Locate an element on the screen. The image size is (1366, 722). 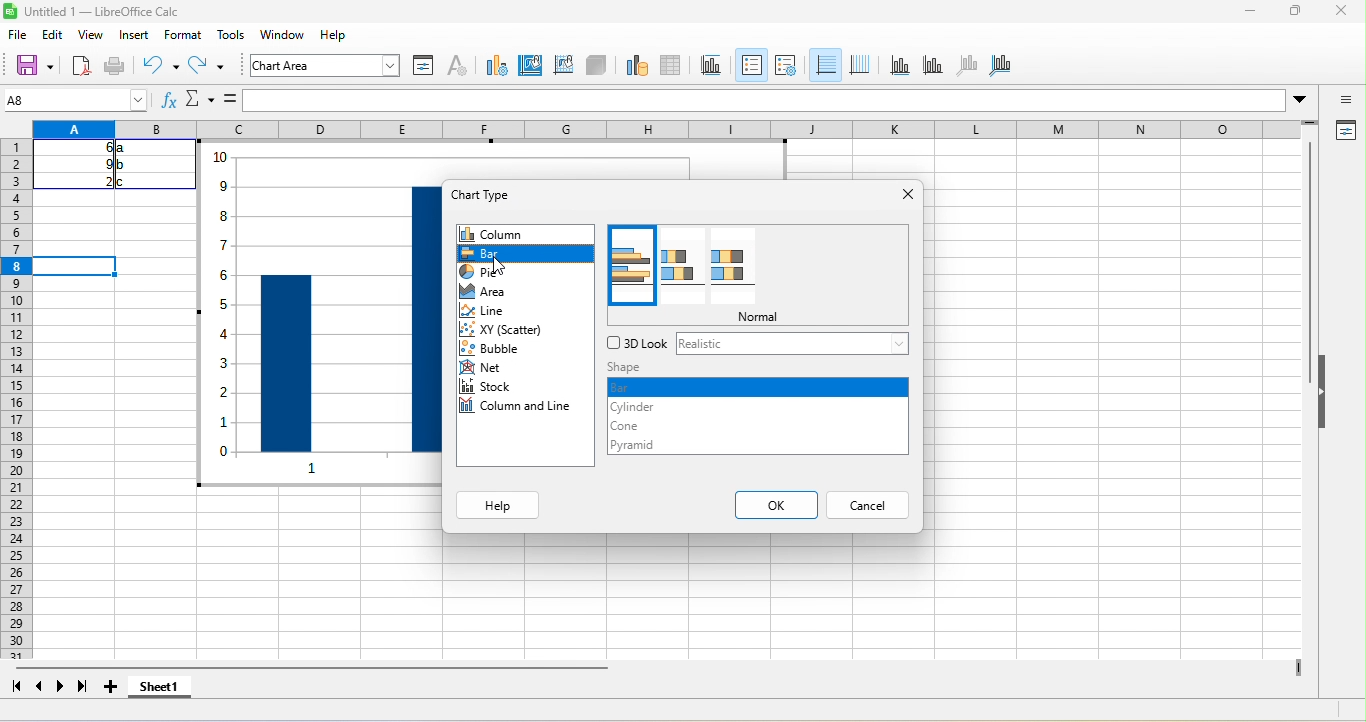
file is located at coordinates (18, 35).